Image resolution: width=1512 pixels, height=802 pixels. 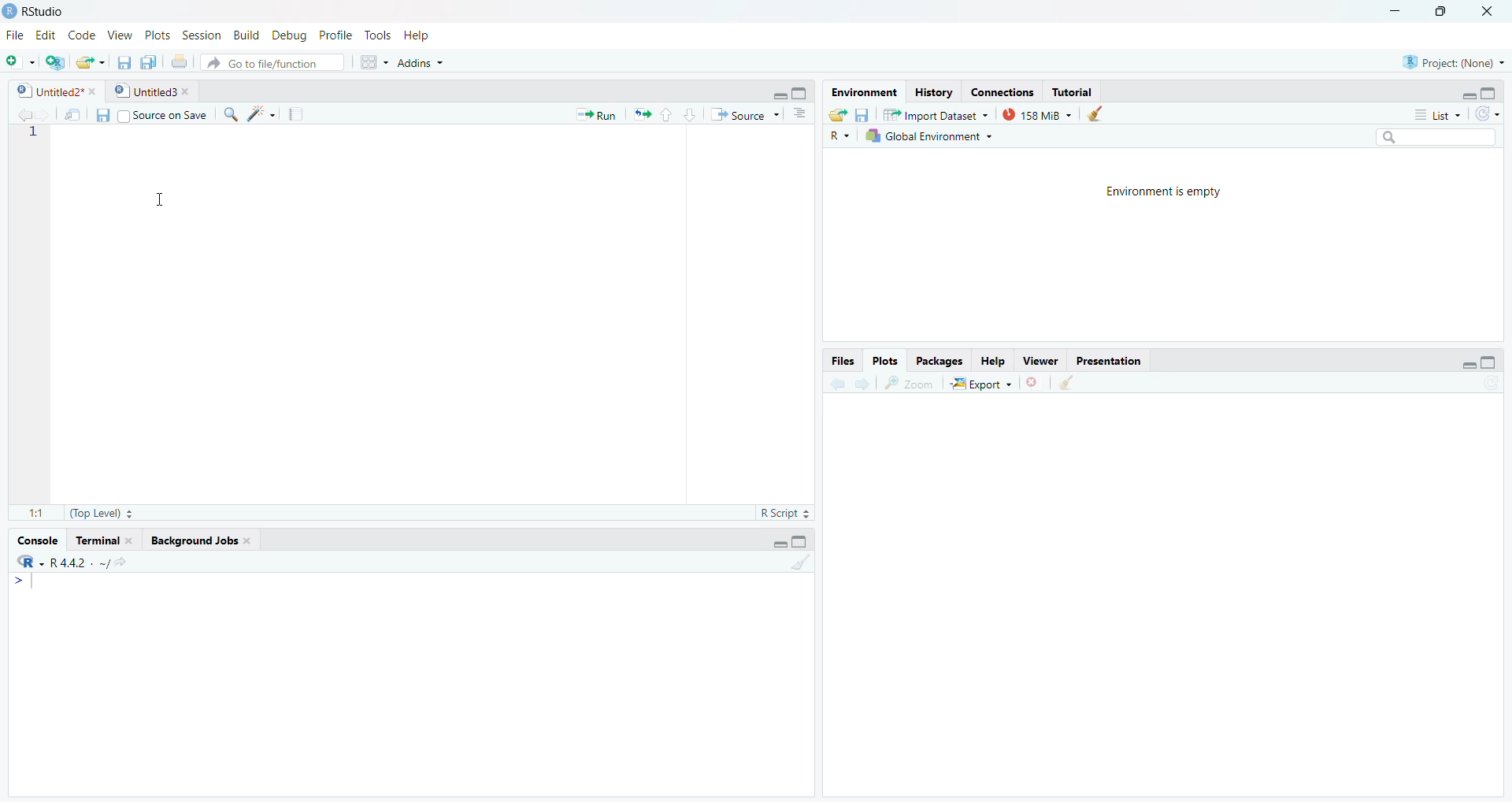 I want to click on Coding pane, so click(x=409, y=323).